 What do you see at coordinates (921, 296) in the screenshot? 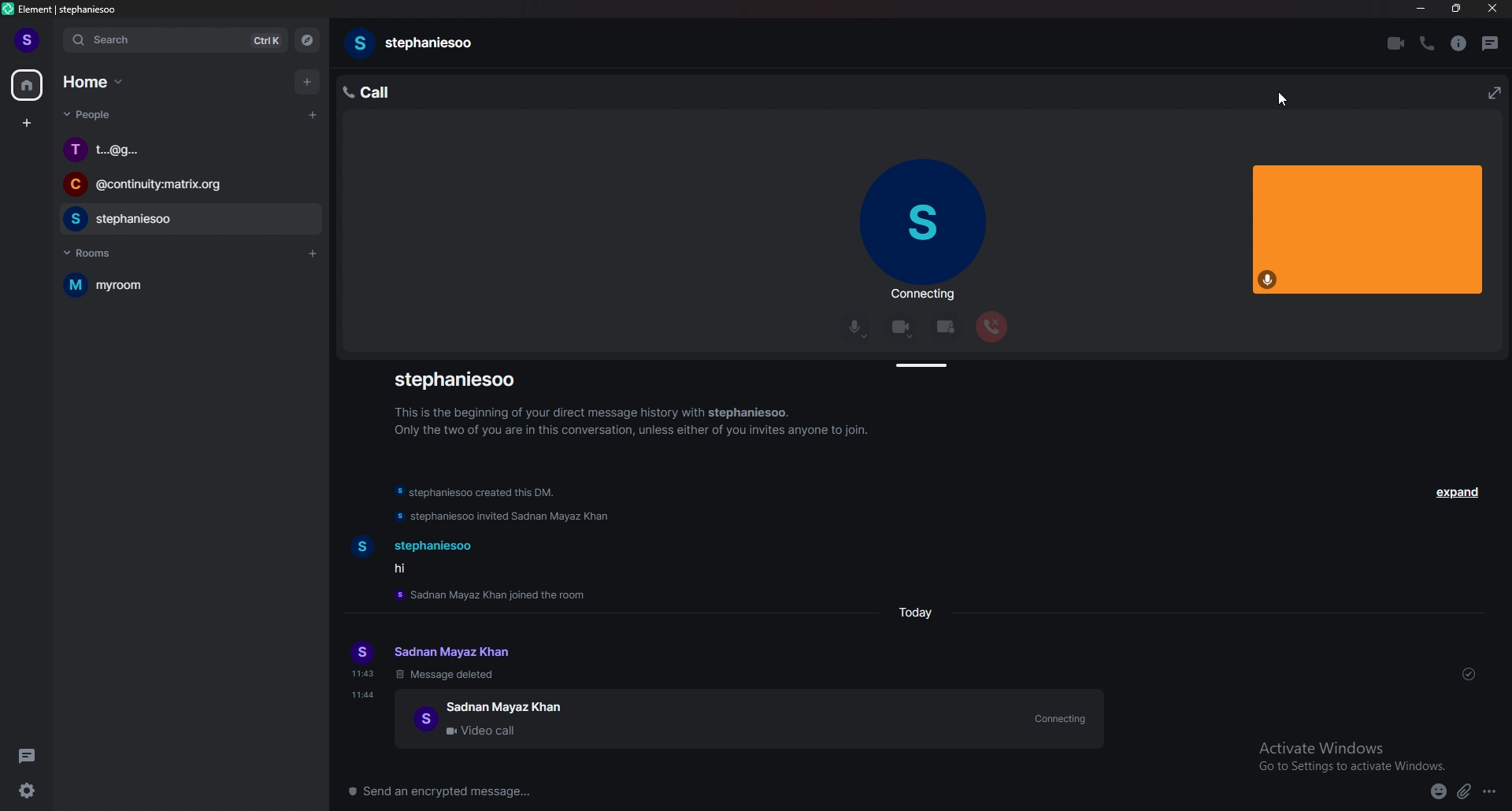
I see `connecting` at bounding box center [921, 296].